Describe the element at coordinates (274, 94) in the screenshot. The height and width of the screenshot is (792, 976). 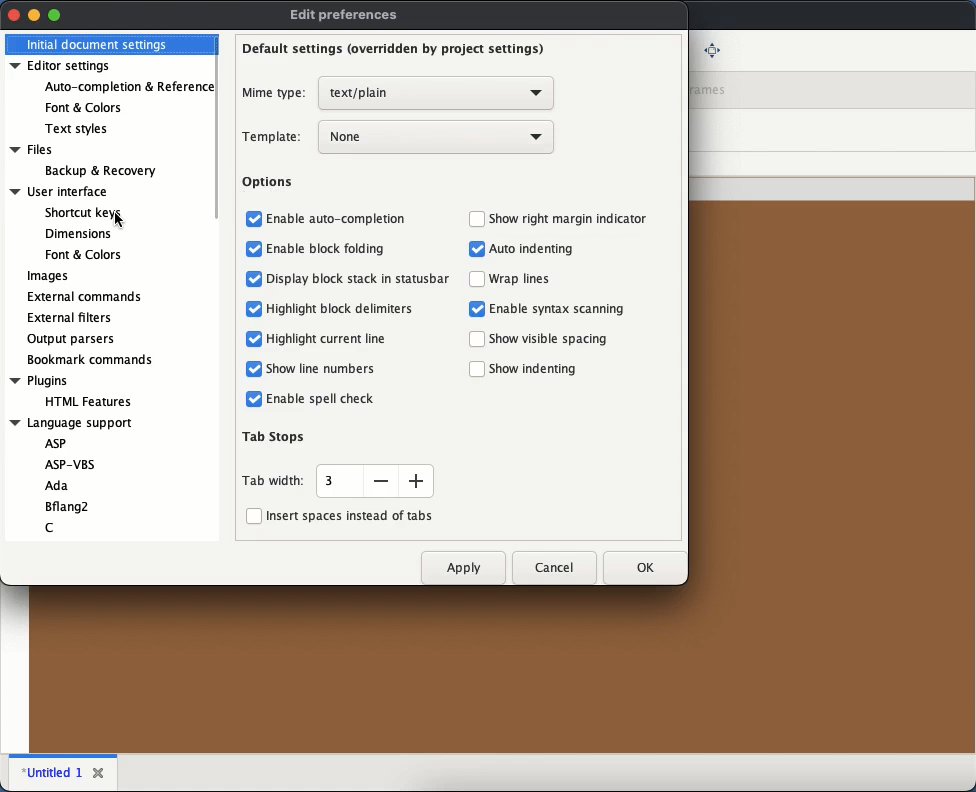
I see `mime type` at that location.